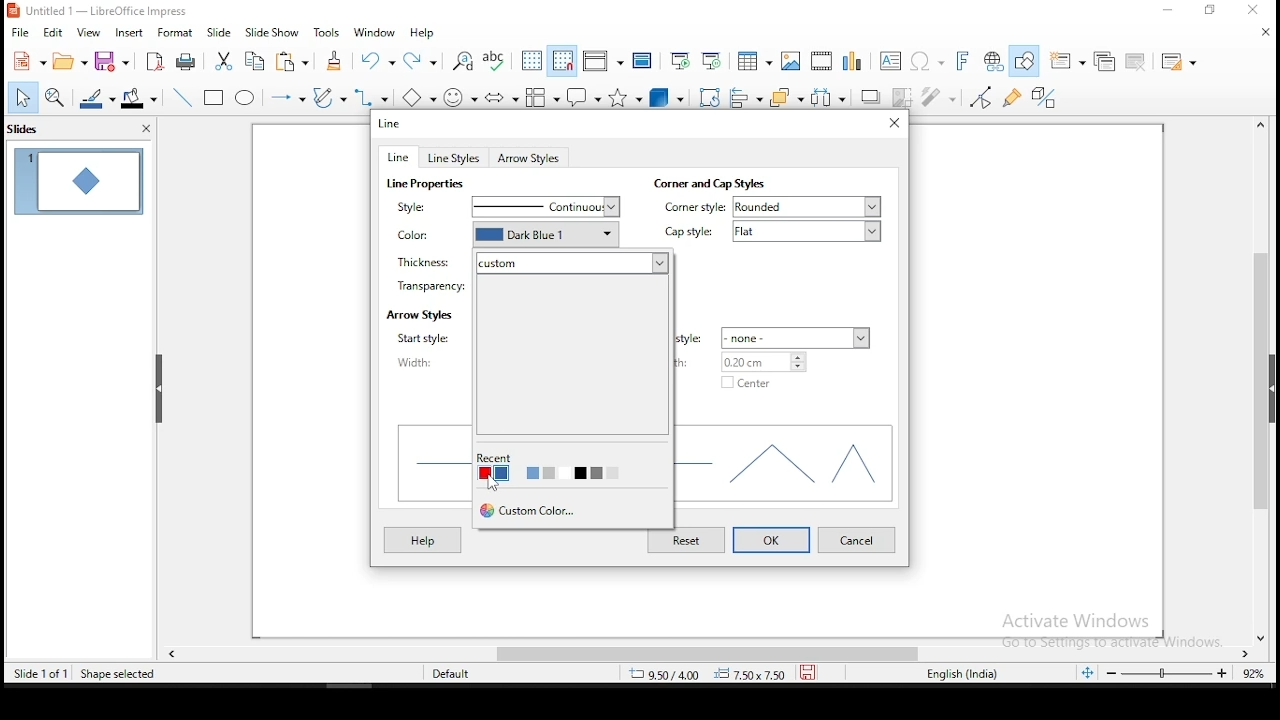 This screenshot has width=1280, height=720. I want to click on center, so click(747, 383).